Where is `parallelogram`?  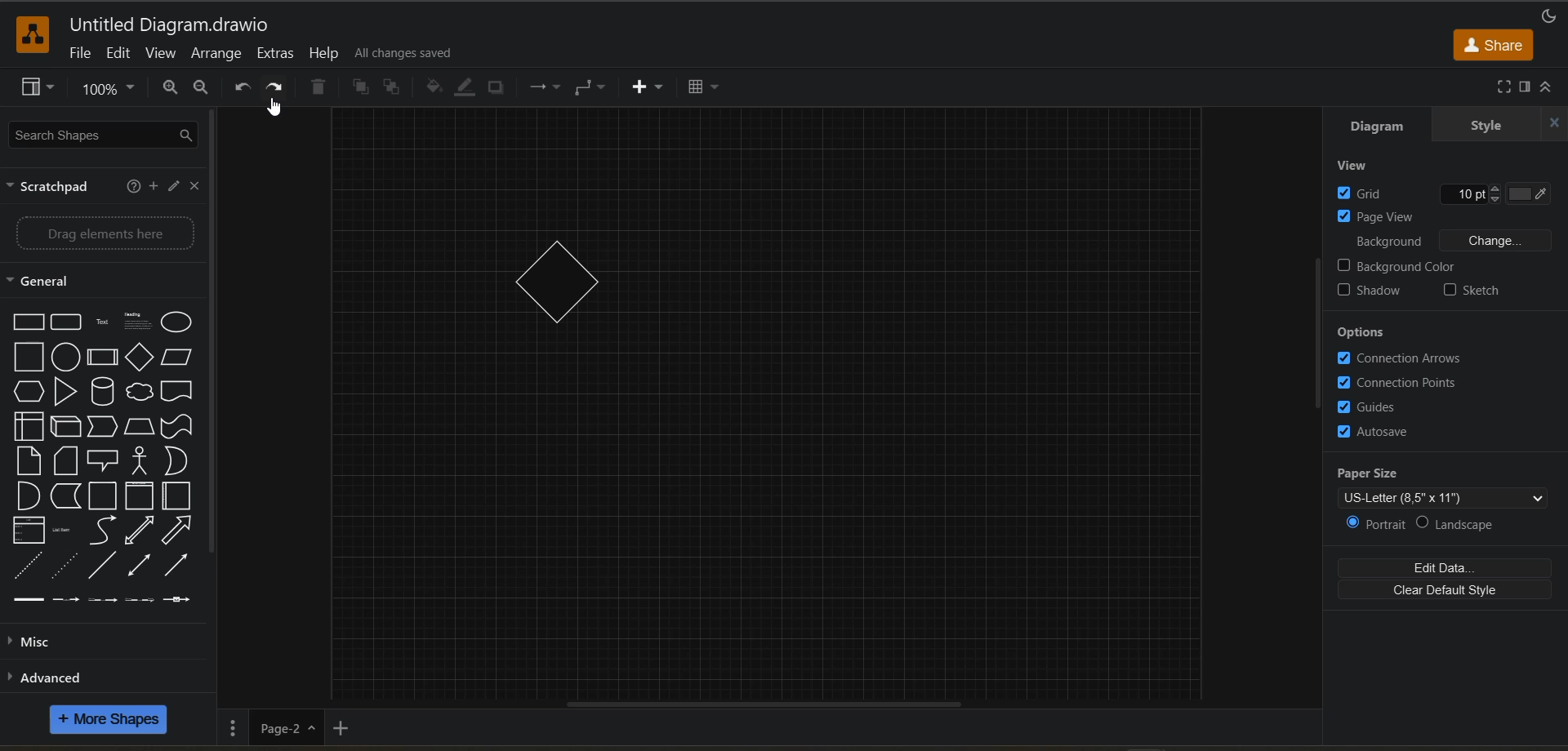 parallelogram is located at coordinates (176, 358).